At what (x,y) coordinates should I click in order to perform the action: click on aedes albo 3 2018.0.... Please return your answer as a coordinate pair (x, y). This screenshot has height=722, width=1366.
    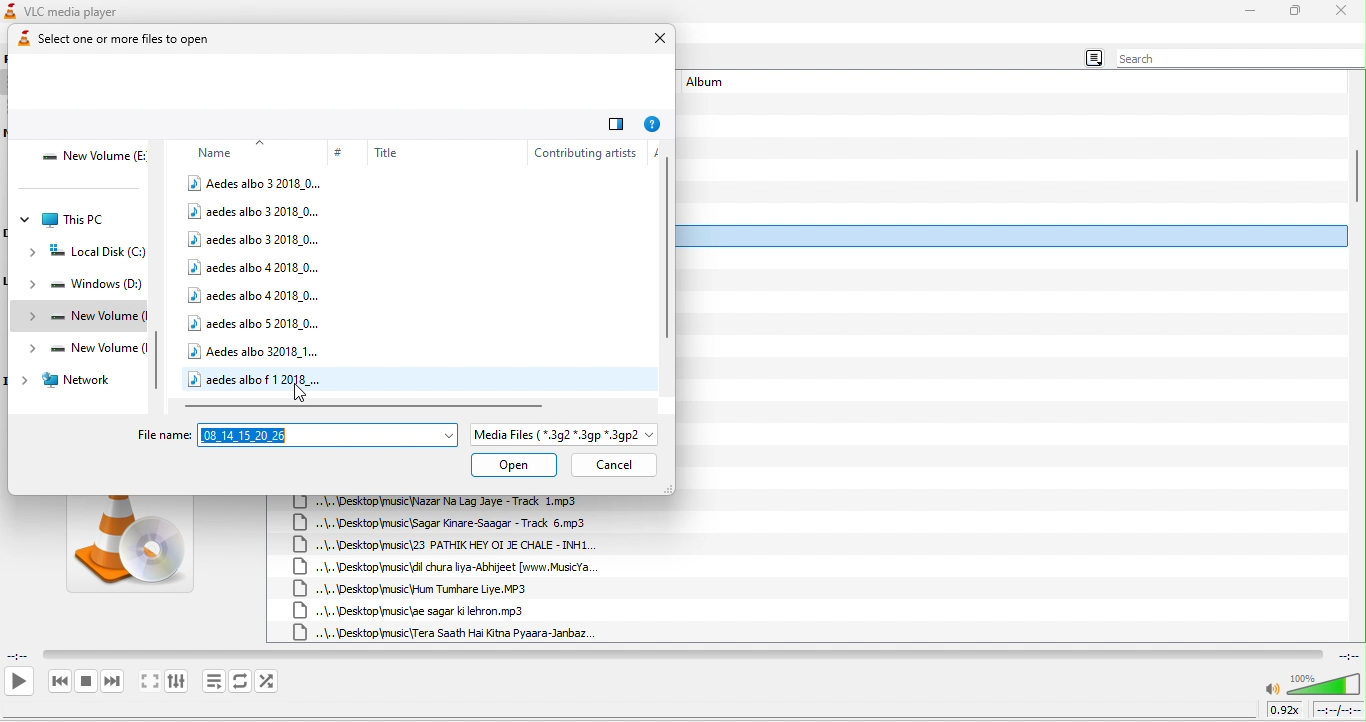
    Looking at the image, I should click on (256, 239).